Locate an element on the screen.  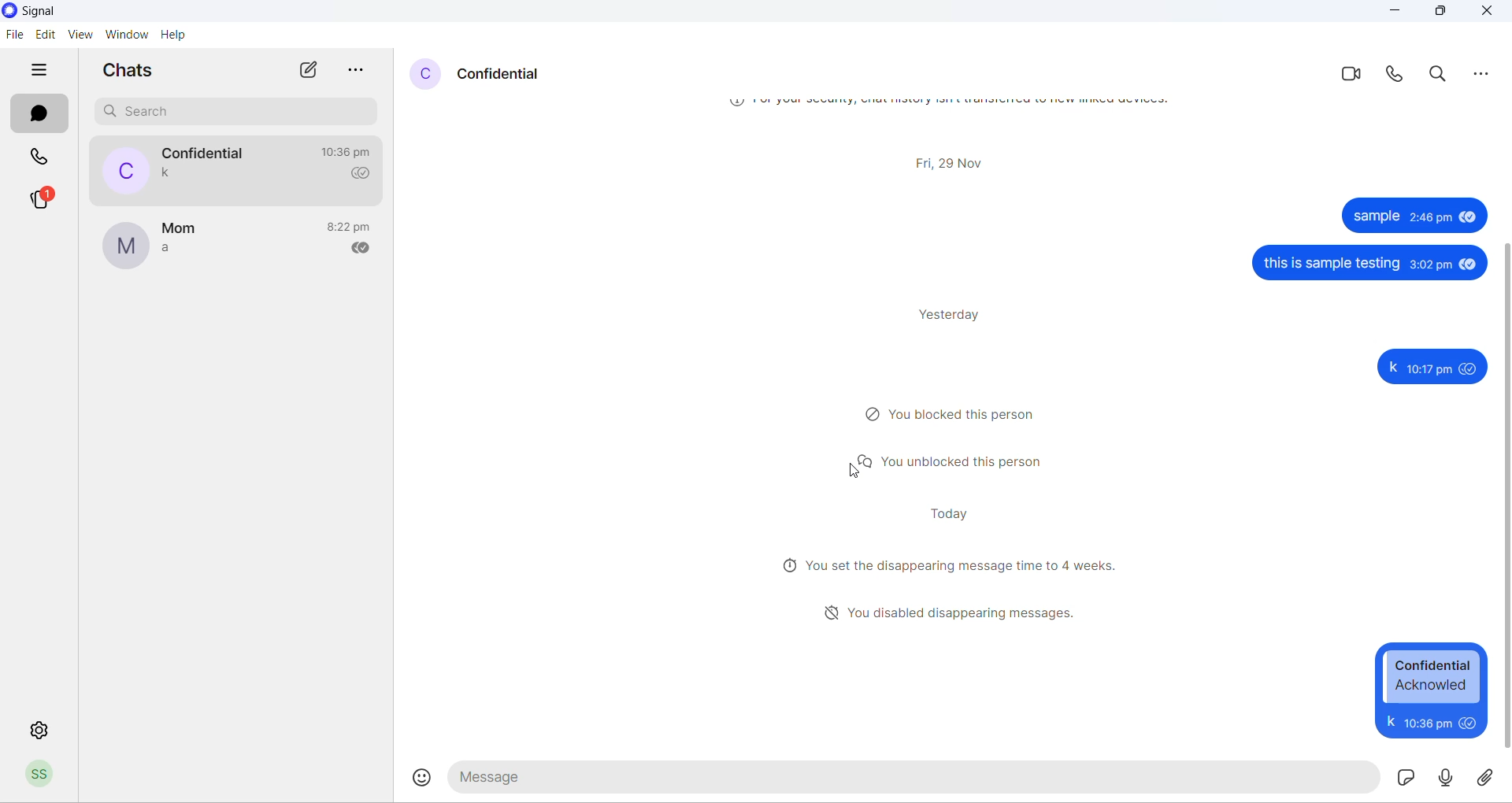
voice note is located at coordinates (1445, 778).